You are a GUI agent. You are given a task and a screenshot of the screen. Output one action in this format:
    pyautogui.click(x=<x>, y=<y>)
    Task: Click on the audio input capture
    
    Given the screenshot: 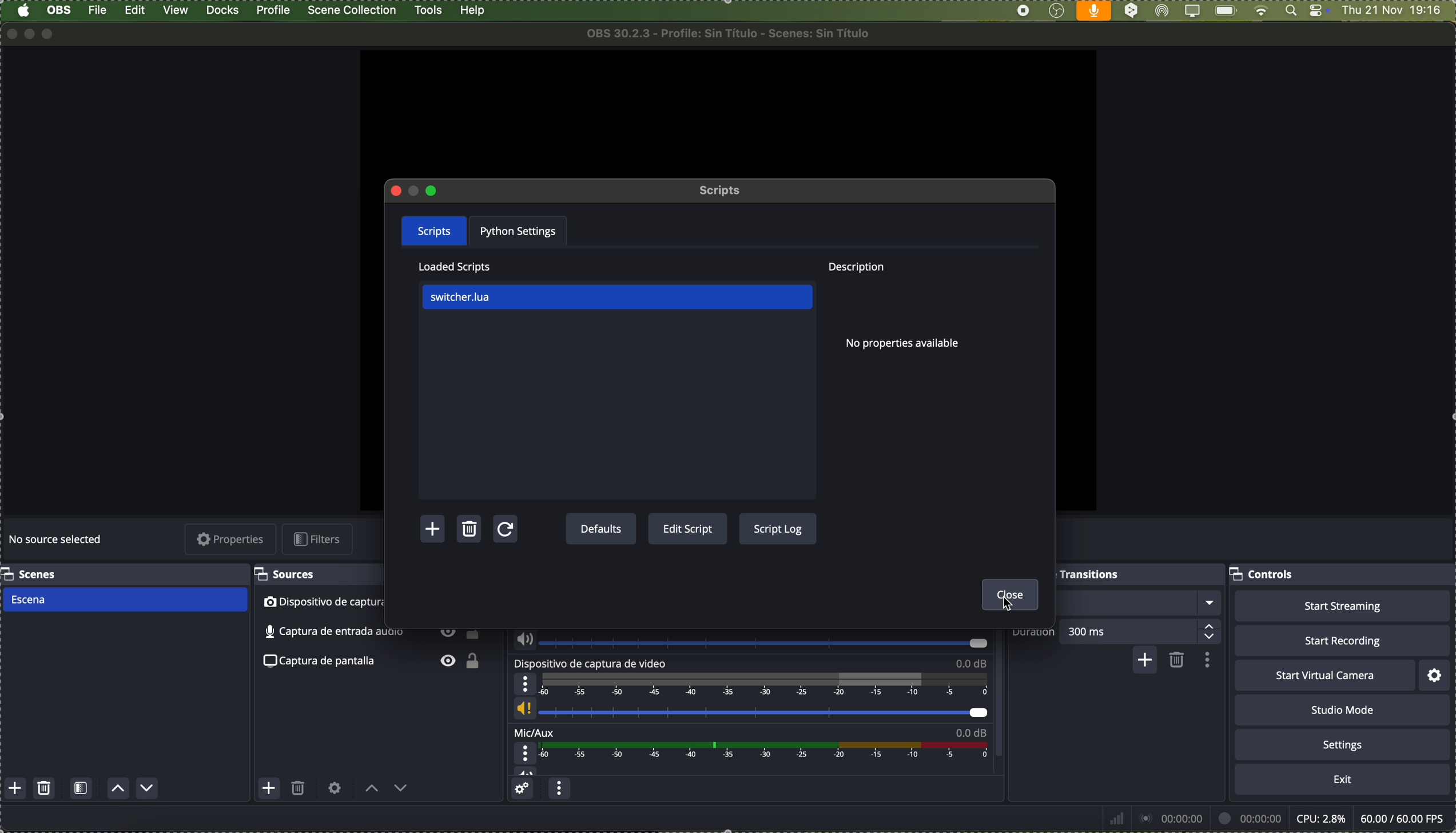 What is the action you would take?
    pyautogui.click(x=748, y=642)
    